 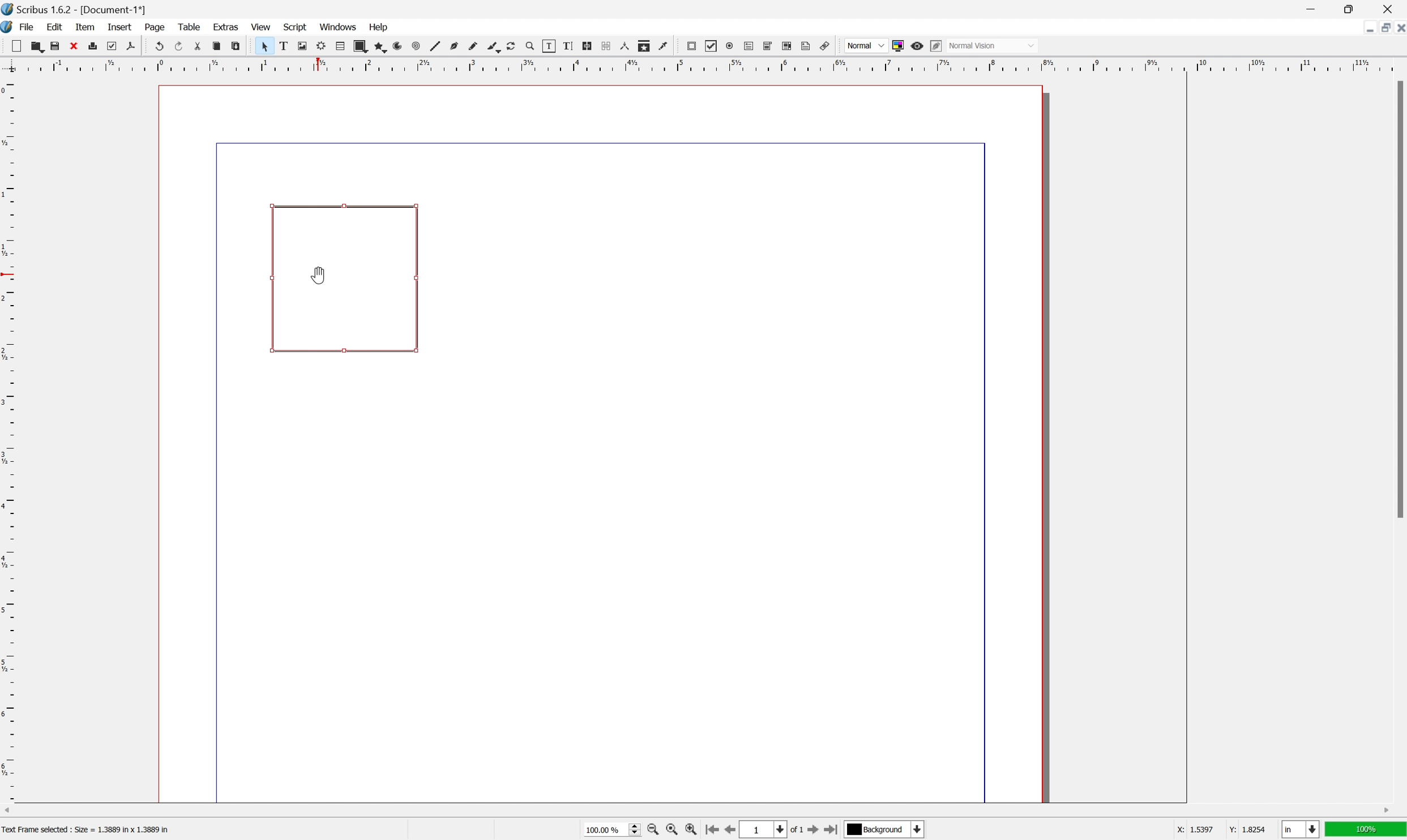 What do you see at coordinates (17, 45) in the screenshot?
I see `new` at bounding box center [17, 45].